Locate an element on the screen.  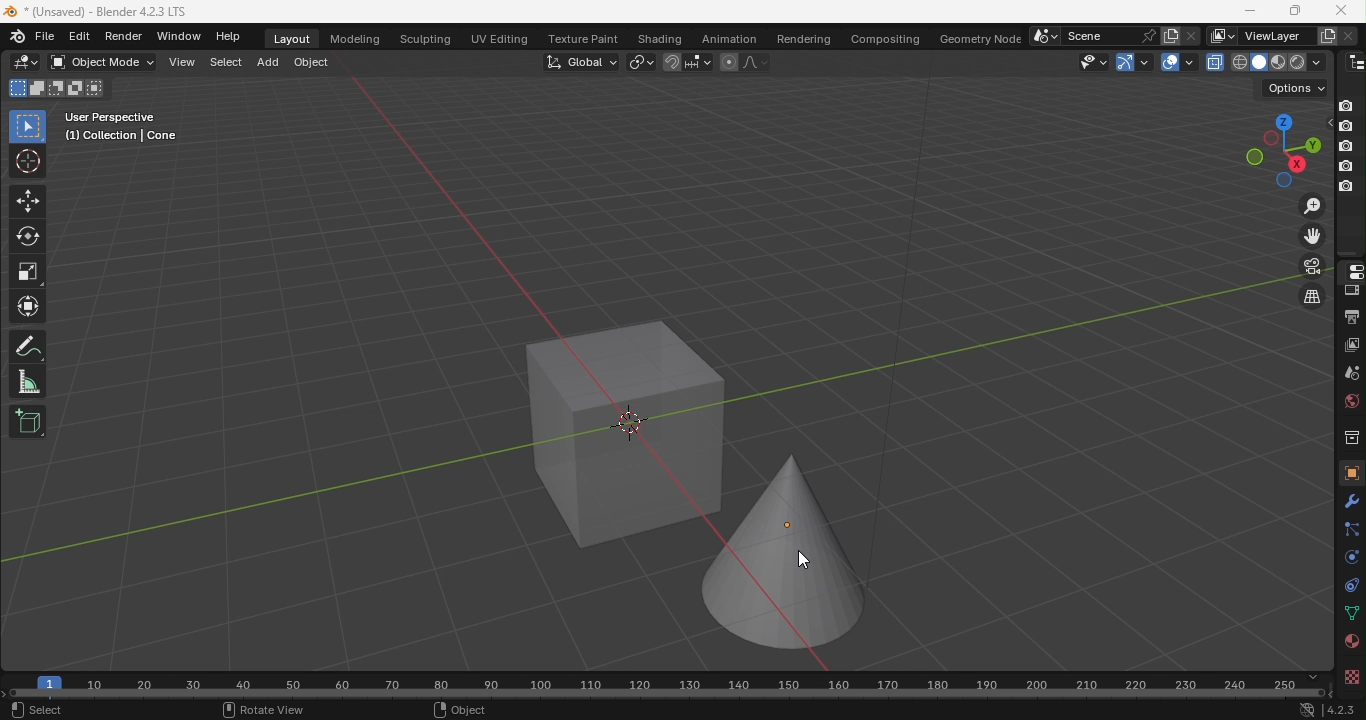
viewpoint shader: Material view is located at coordinates (1277, 61).